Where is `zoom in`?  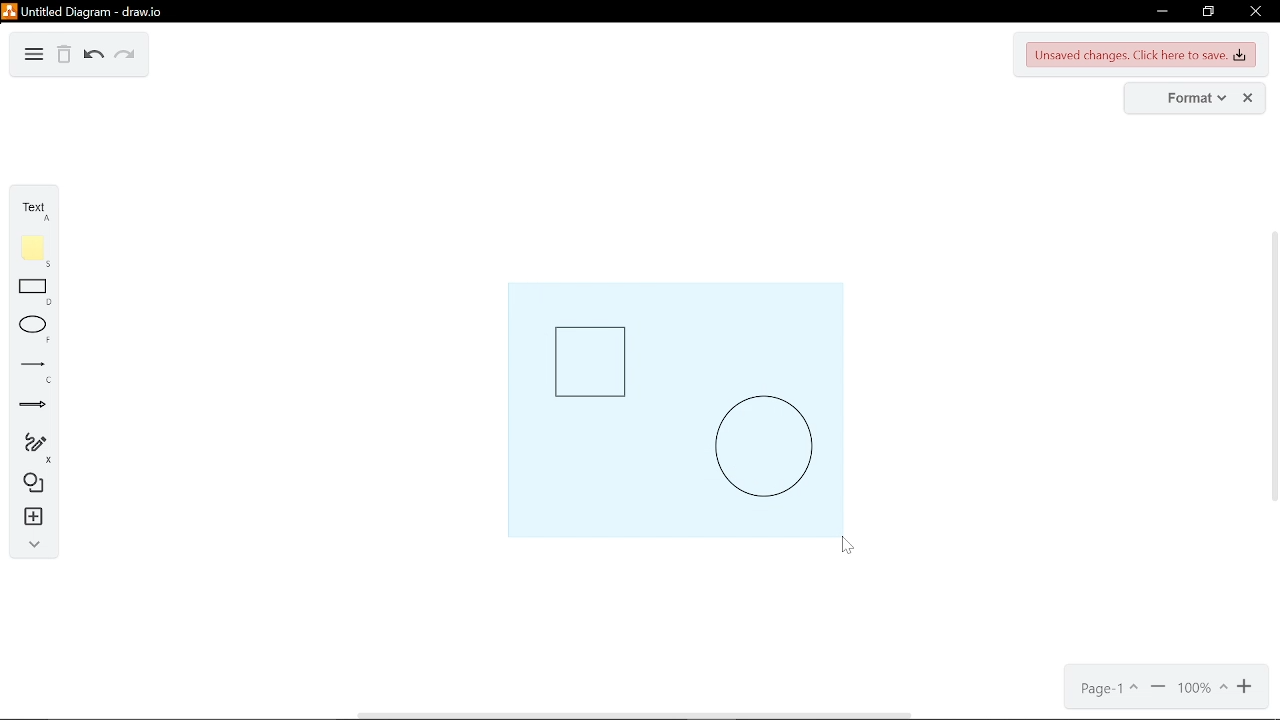 zoom in is located at coordinates (1246, 689).